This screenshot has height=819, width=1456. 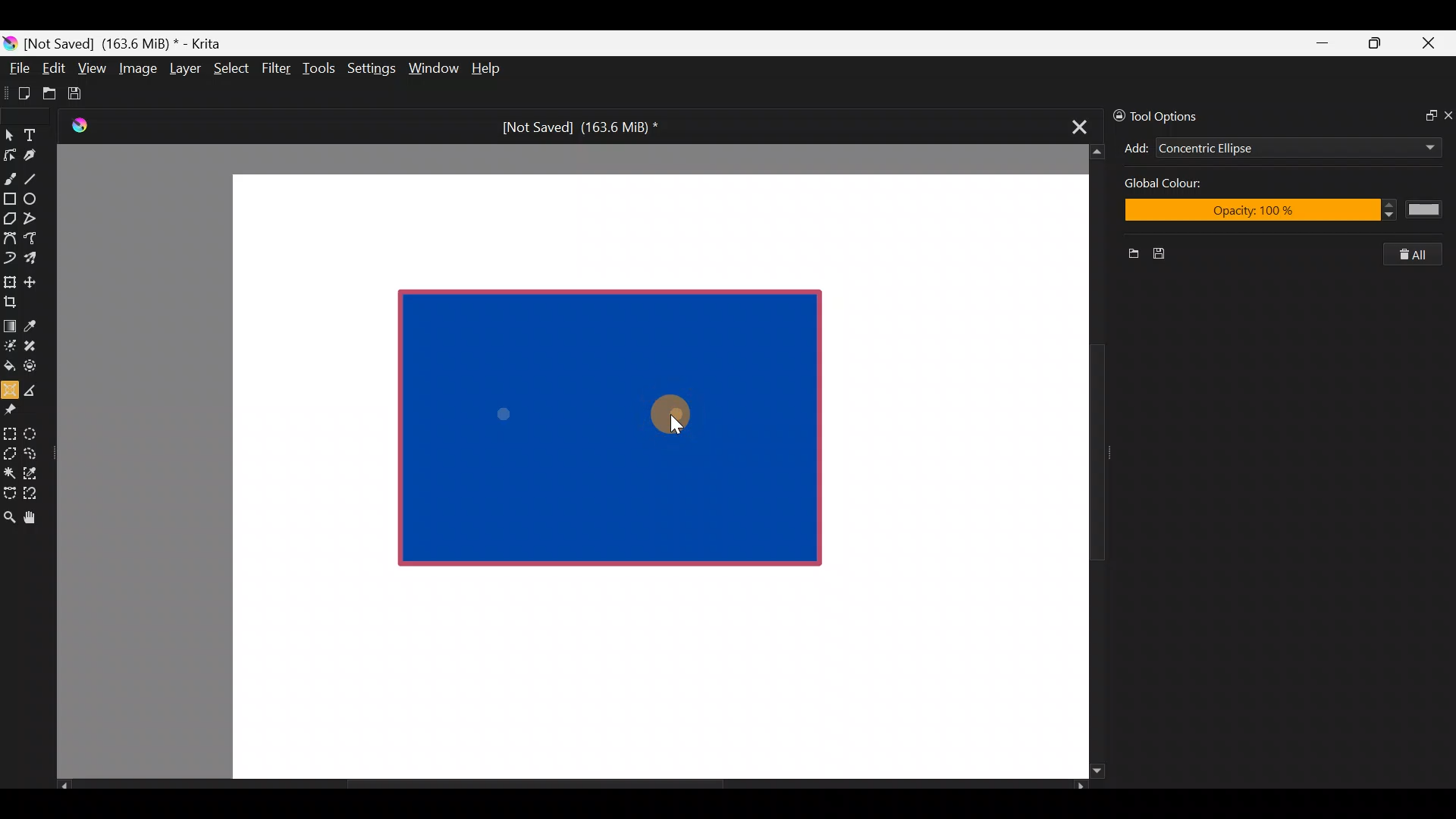 What do you see at coordinates (184, 72) in the screenshot?
I see `Layer` at bounding box center [184, 72].